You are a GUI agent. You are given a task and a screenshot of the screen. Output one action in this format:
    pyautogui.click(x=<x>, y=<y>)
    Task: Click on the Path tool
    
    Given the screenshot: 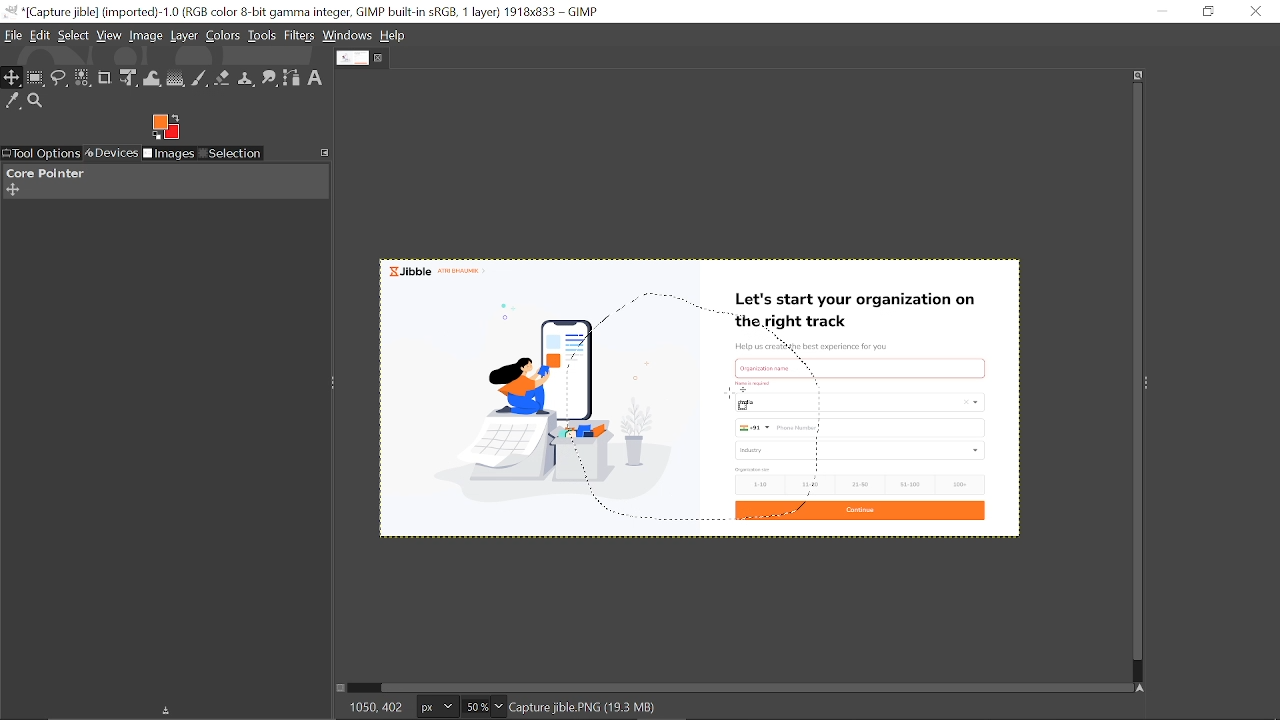 What is the action you would take?
    pyautogui.click(x=292, y=79)
    